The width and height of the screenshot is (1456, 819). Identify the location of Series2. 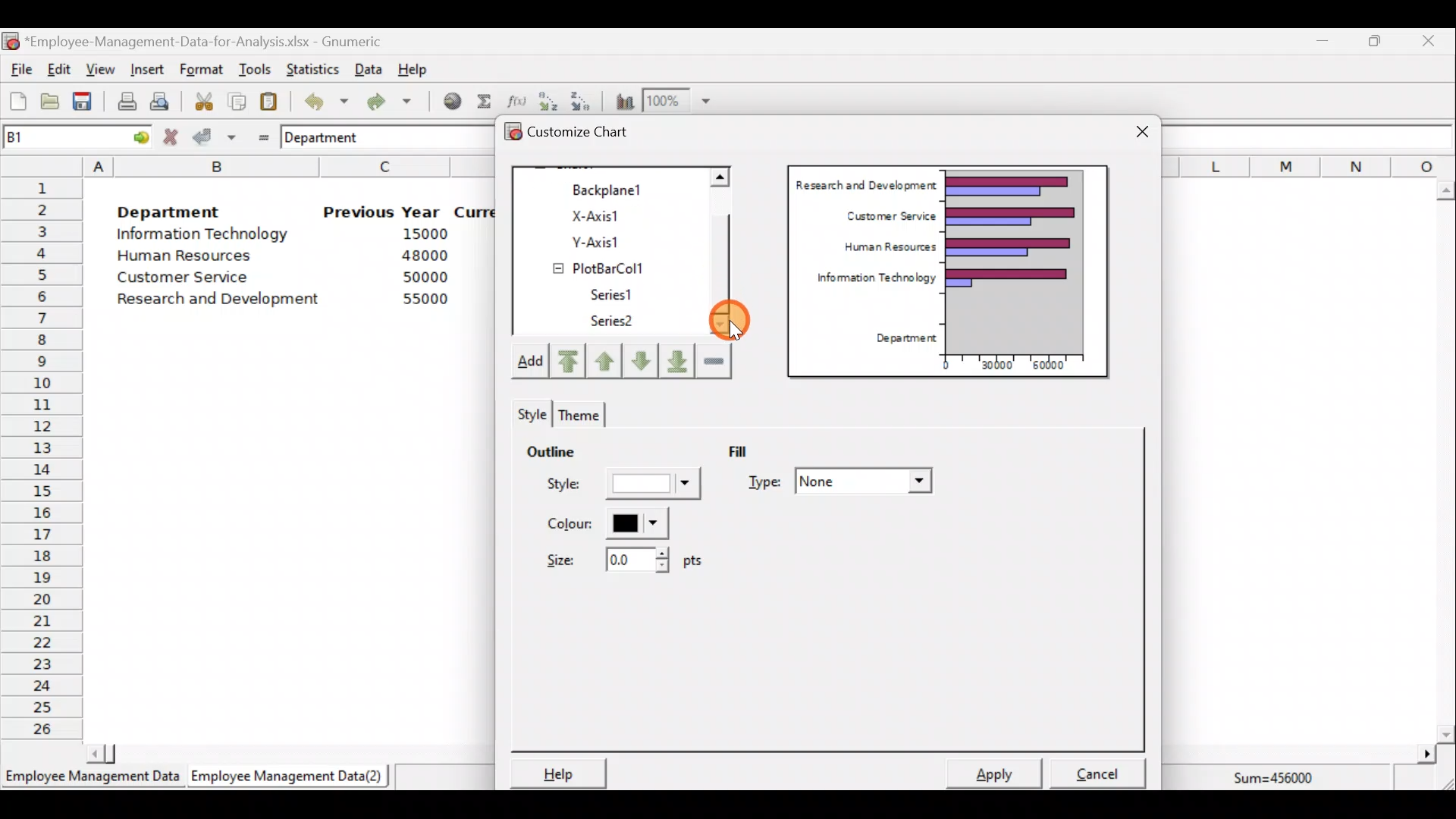
(615, 322).